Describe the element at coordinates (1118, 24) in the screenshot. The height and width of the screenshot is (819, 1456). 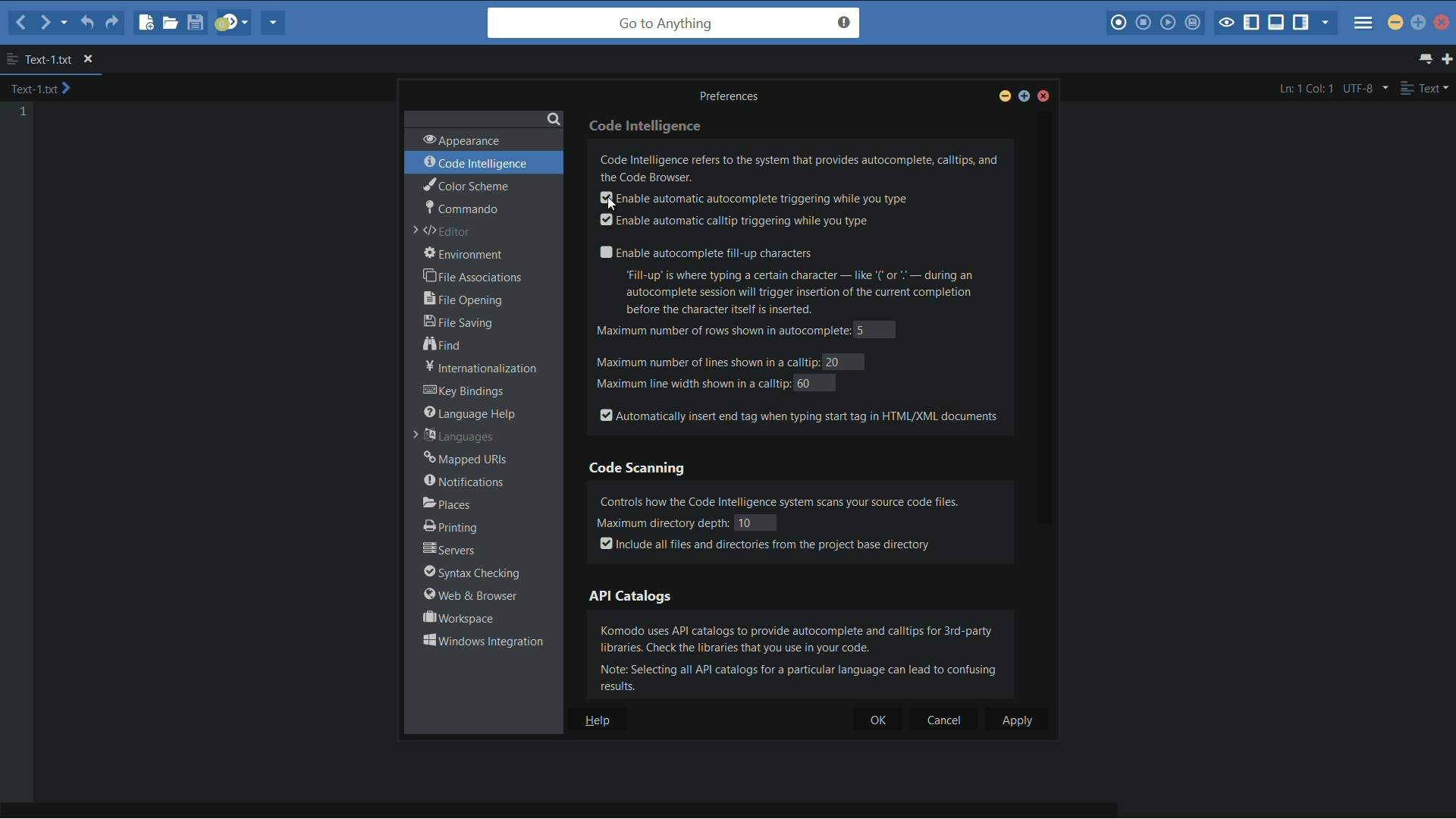
I see `record macro` at that location.